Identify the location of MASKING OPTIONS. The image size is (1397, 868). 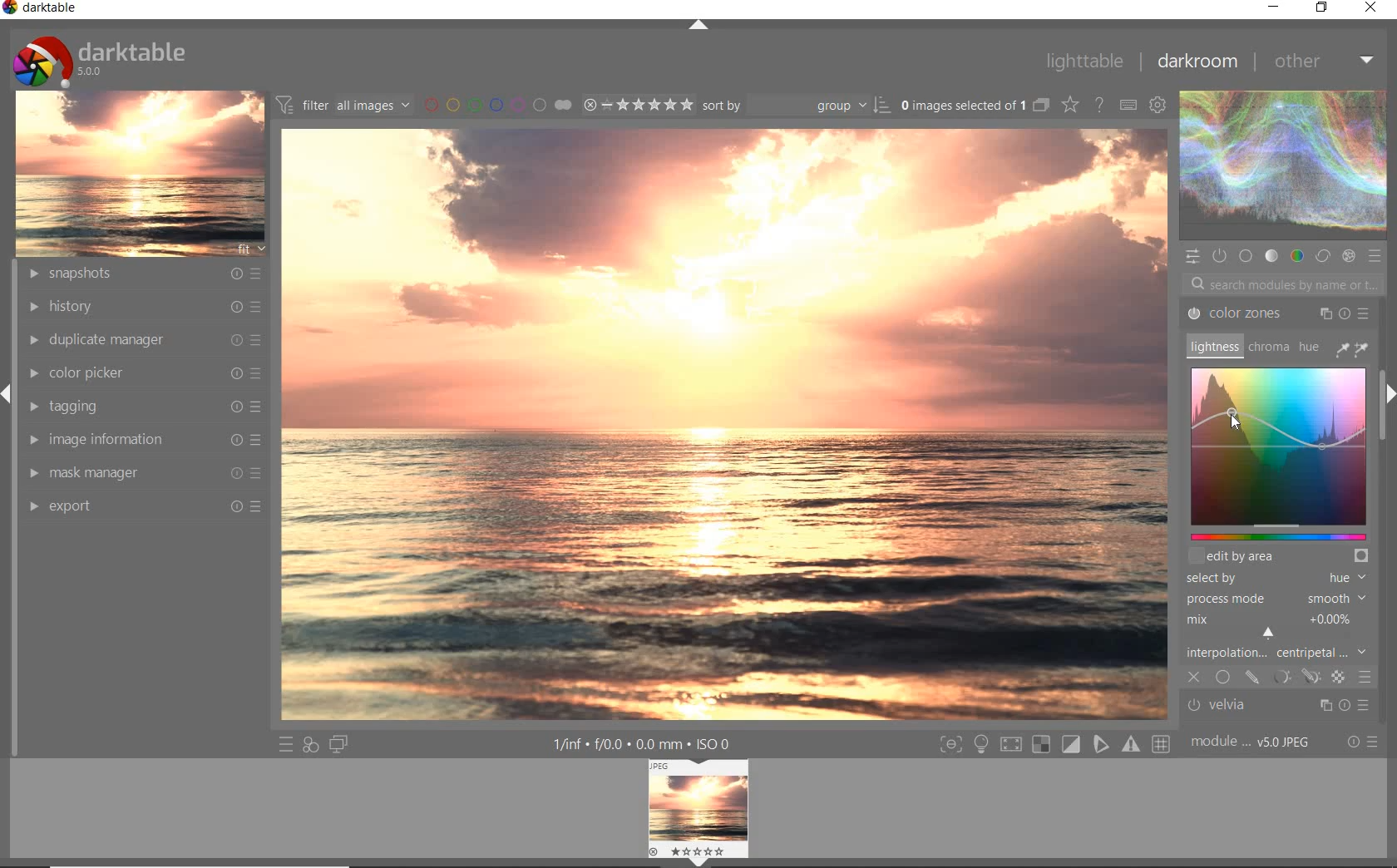
(1293, 676).